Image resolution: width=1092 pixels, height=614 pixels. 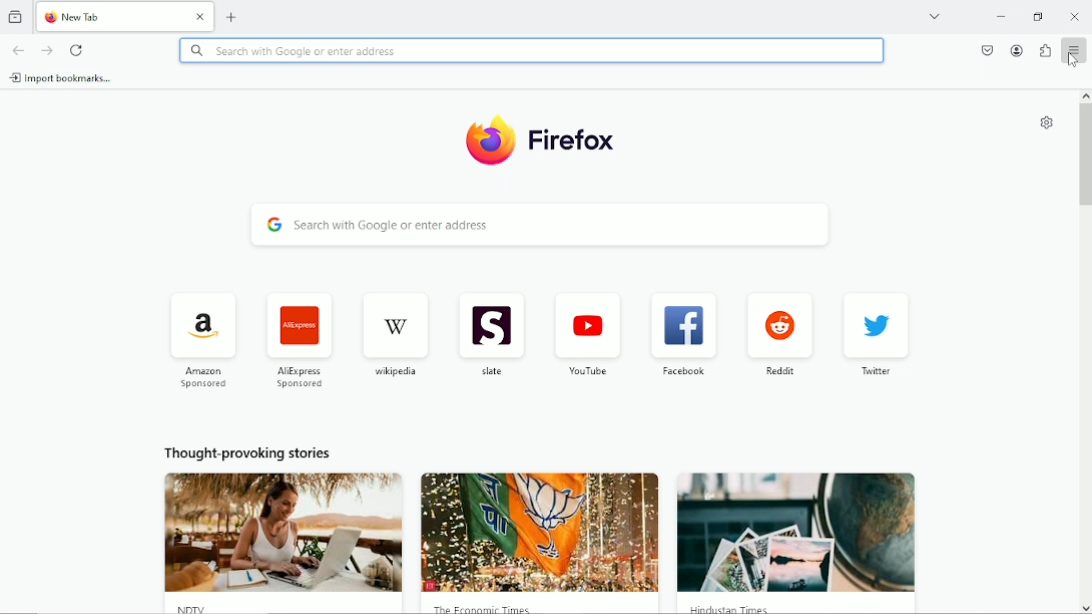 I want to click on account, so click(x=1016, y=50).